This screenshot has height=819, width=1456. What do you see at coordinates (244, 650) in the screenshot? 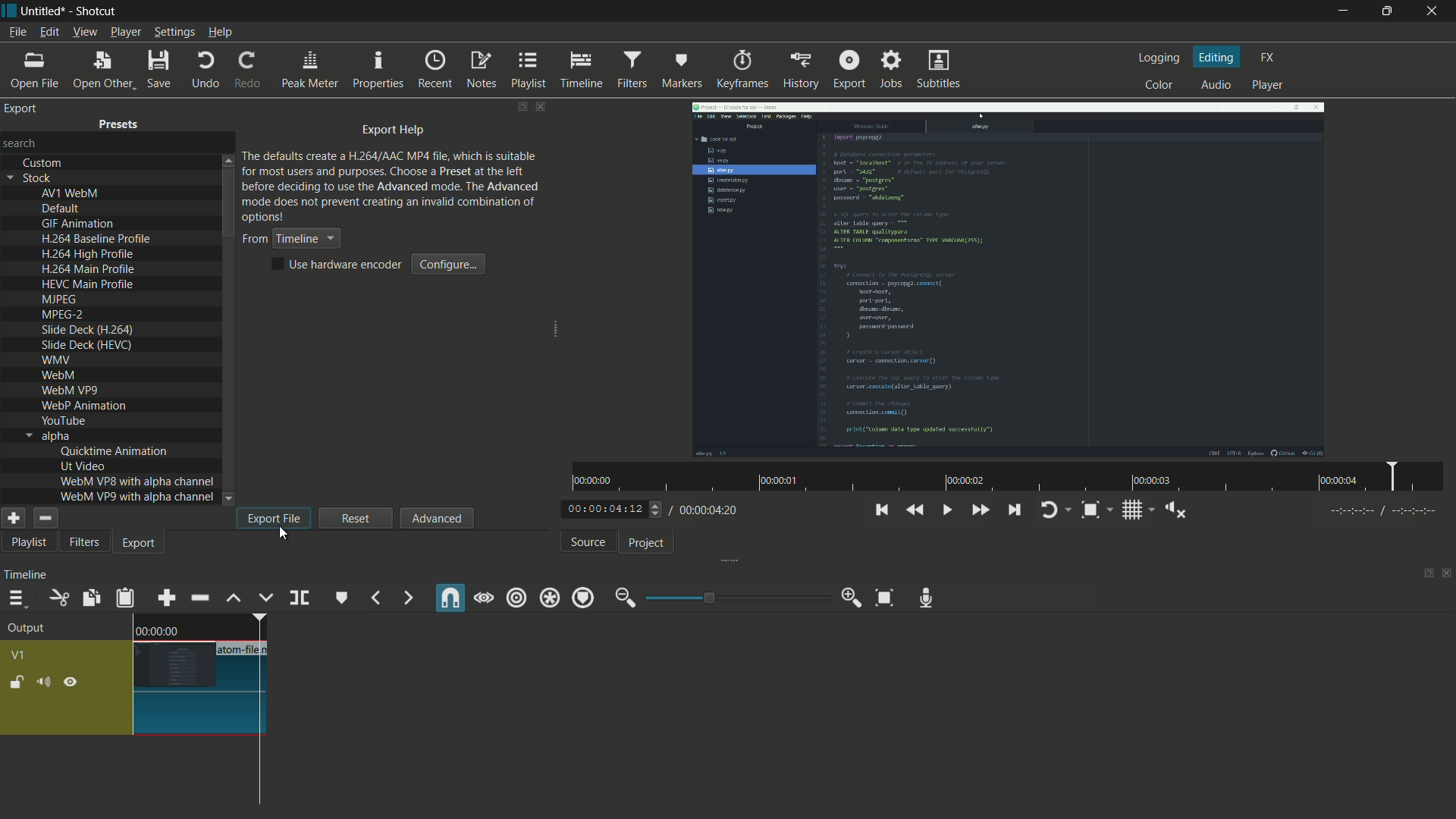
I see `file name` at bounding box center [244, 650].